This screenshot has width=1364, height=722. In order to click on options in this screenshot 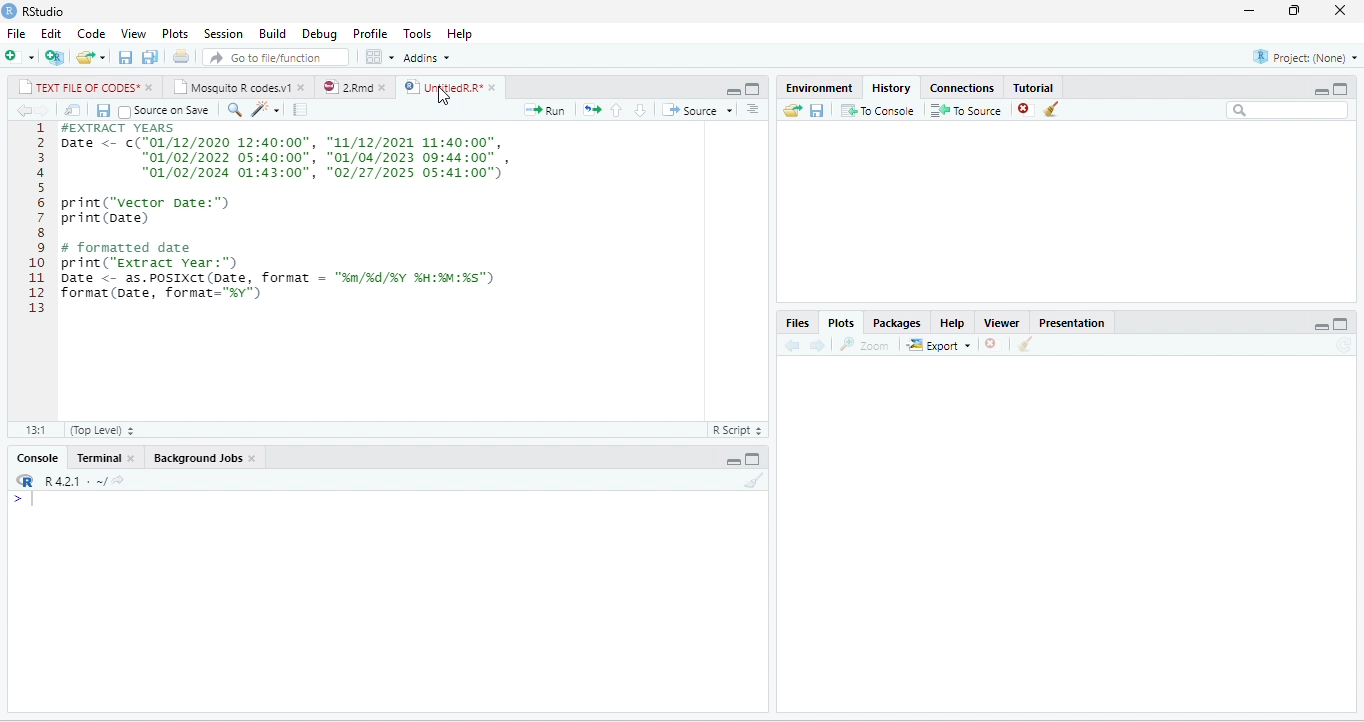, I will do `click(752, 109)`.